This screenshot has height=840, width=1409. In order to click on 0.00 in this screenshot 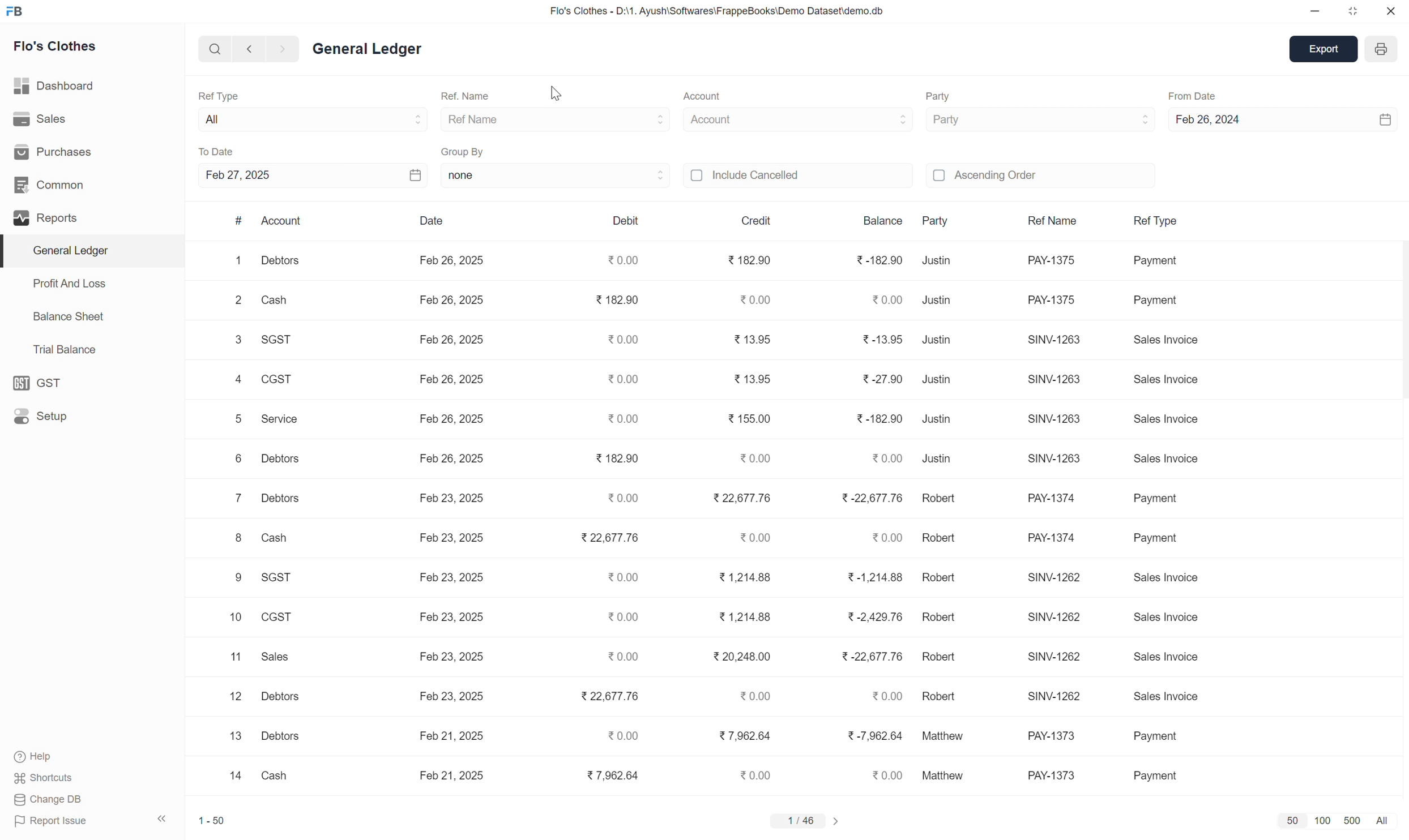, I will do `click(755, 459)`.